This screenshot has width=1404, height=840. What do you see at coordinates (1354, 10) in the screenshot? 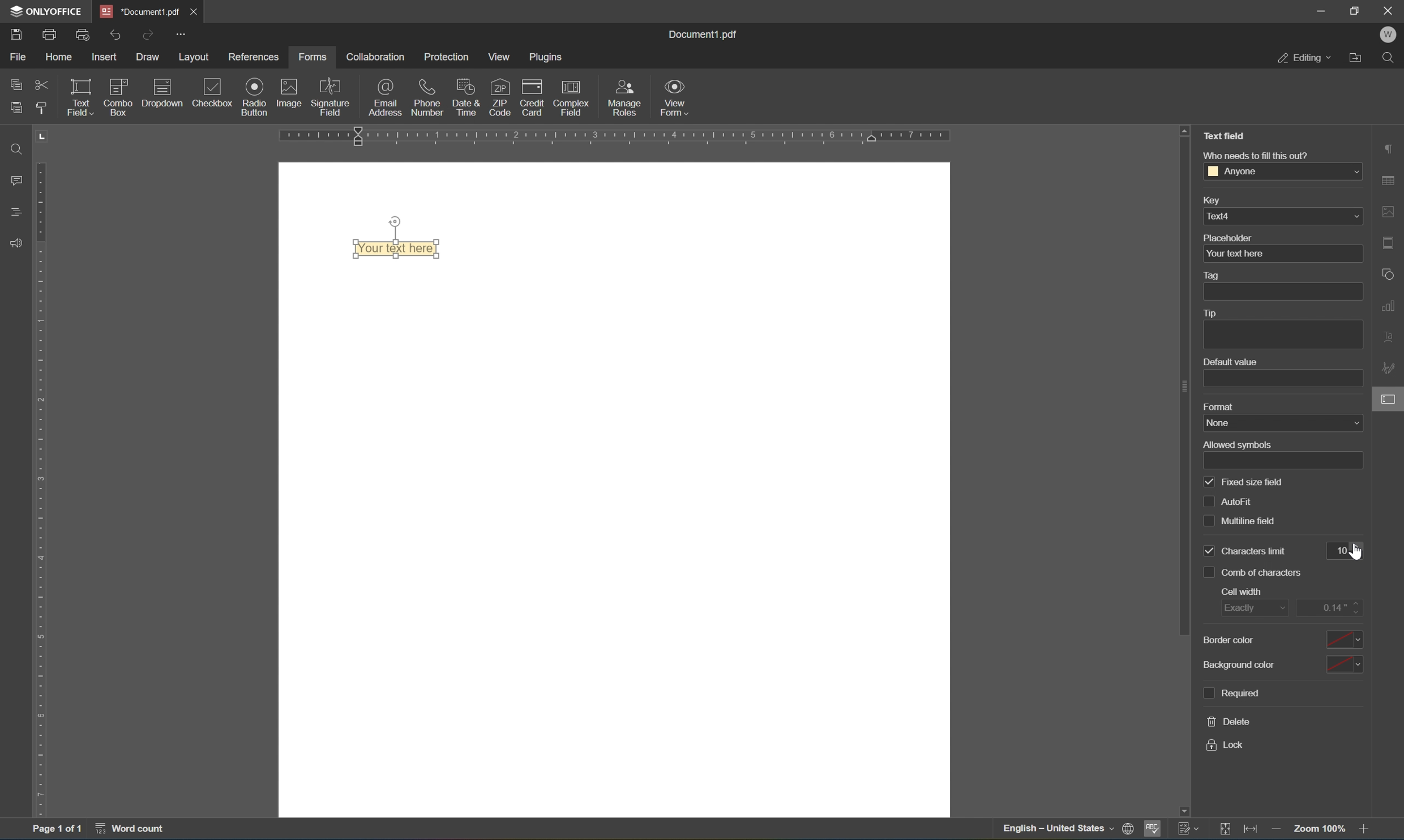
I see `restore down` at bounding box center [1354, 10].